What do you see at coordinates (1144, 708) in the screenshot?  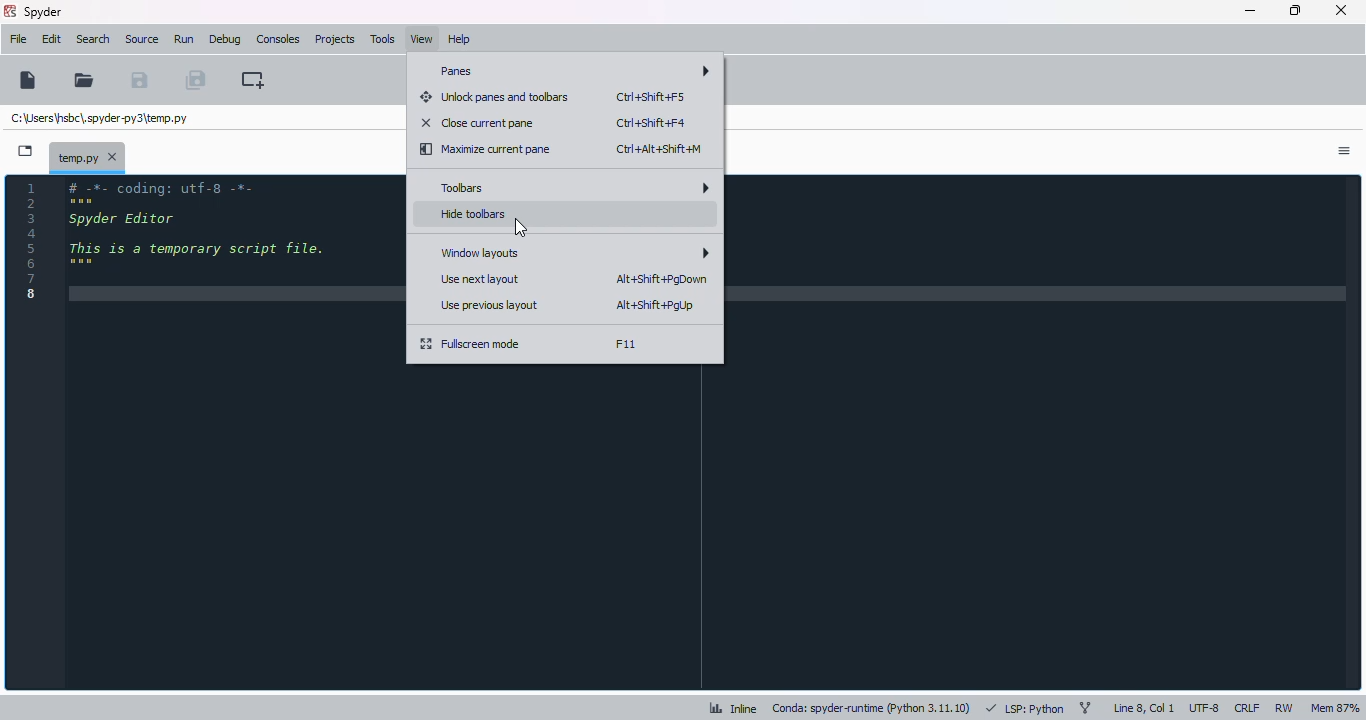 I see `line 8, col 1` at bounding box center [1144, 708].